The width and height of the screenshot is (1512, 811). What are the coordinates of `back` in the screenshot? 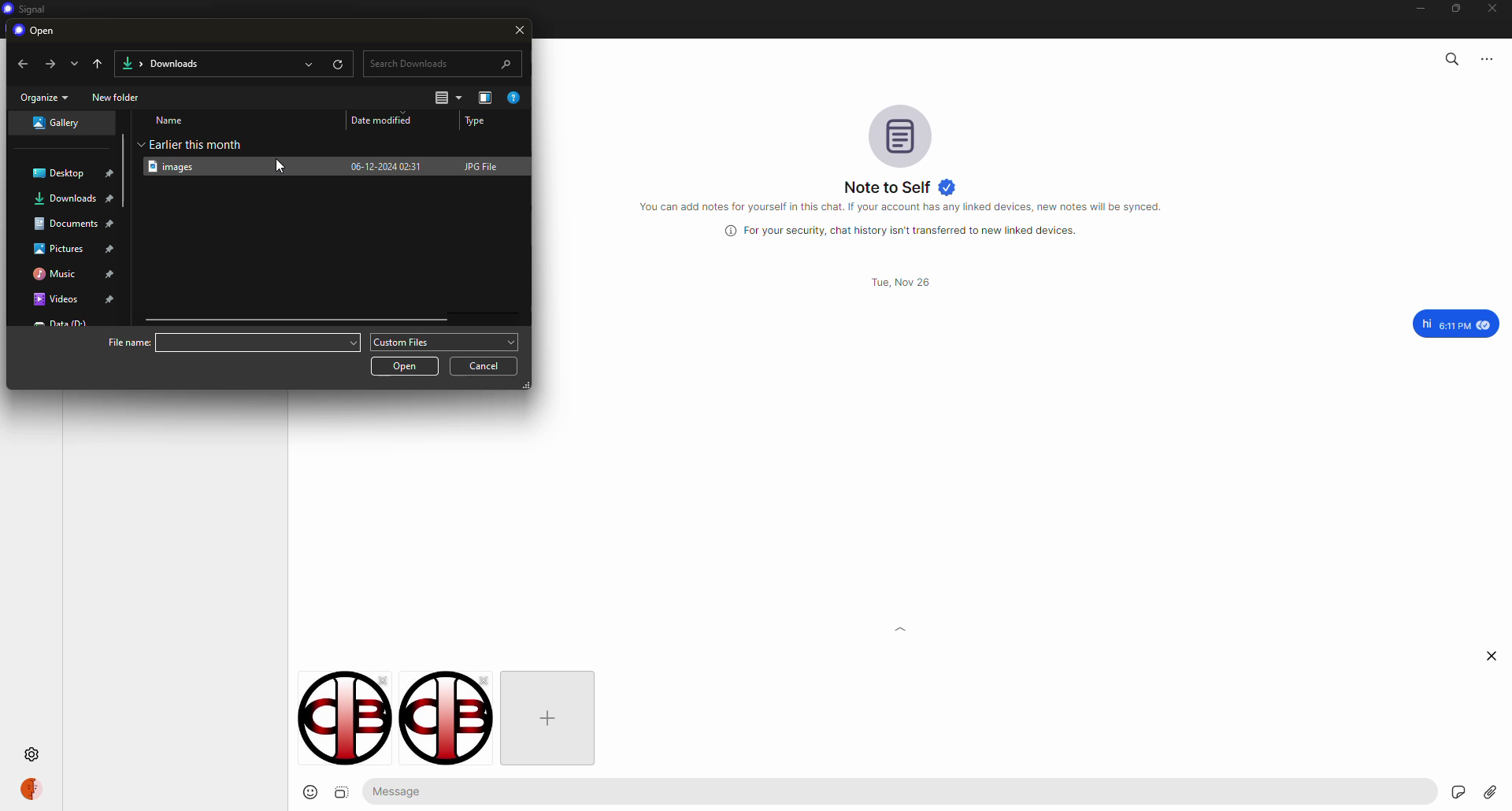 It's located at (24, 65).